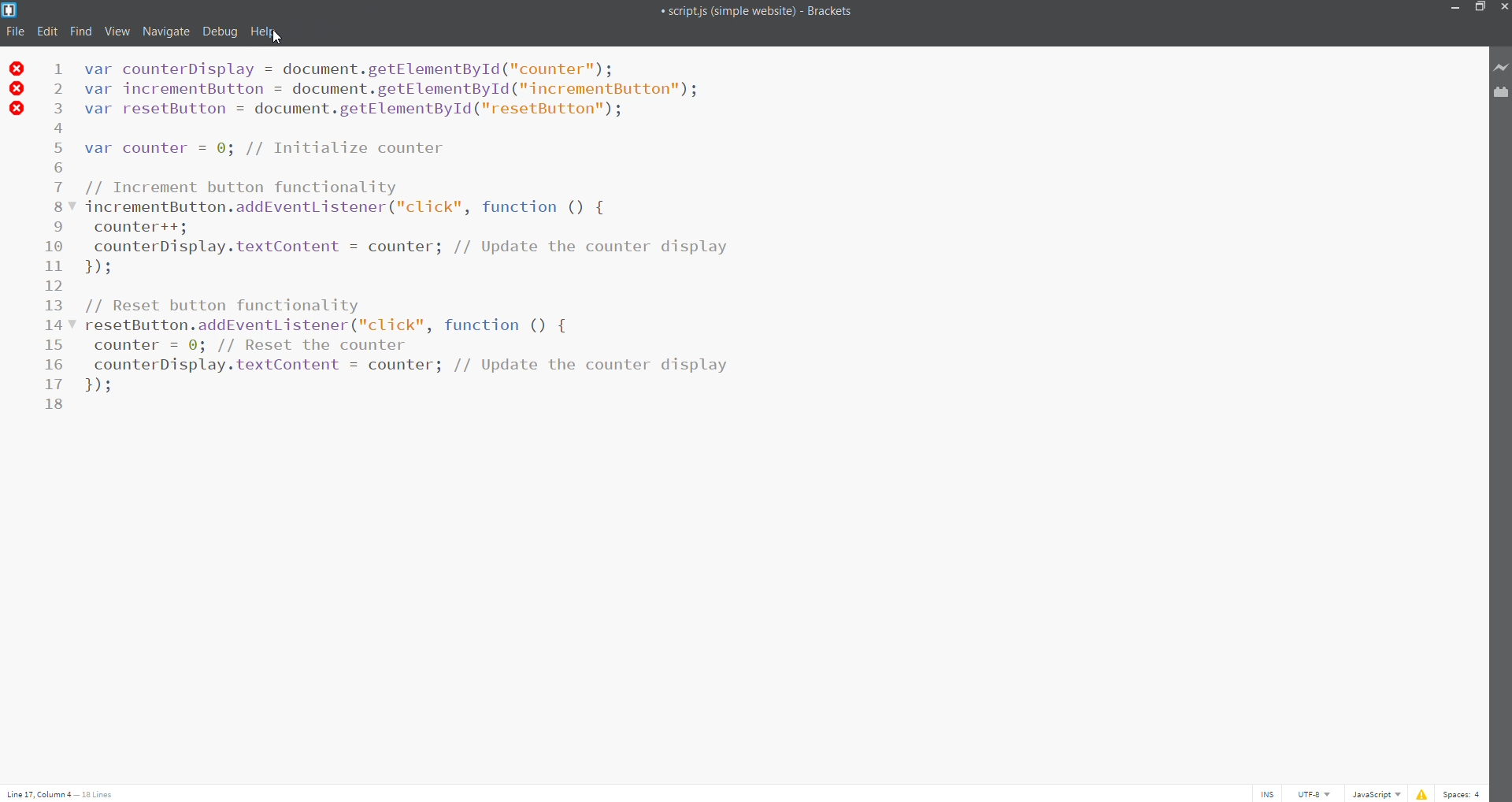 The image size is (1512, 802). What do you see at coordinates (262, 32) in the screenshot?
I see `help` at bounding box center [262, 32].